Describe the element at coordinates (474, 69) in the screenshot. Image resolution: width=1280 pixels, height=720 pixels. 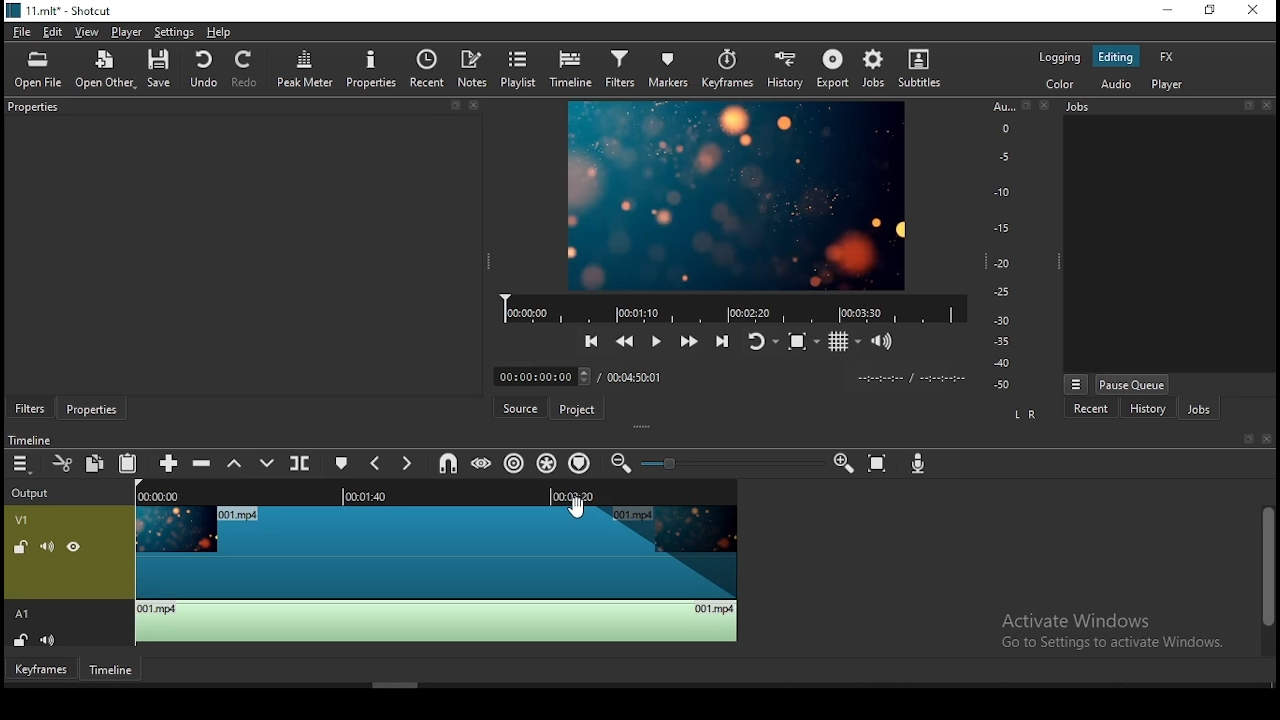
I see `notes` at that location.